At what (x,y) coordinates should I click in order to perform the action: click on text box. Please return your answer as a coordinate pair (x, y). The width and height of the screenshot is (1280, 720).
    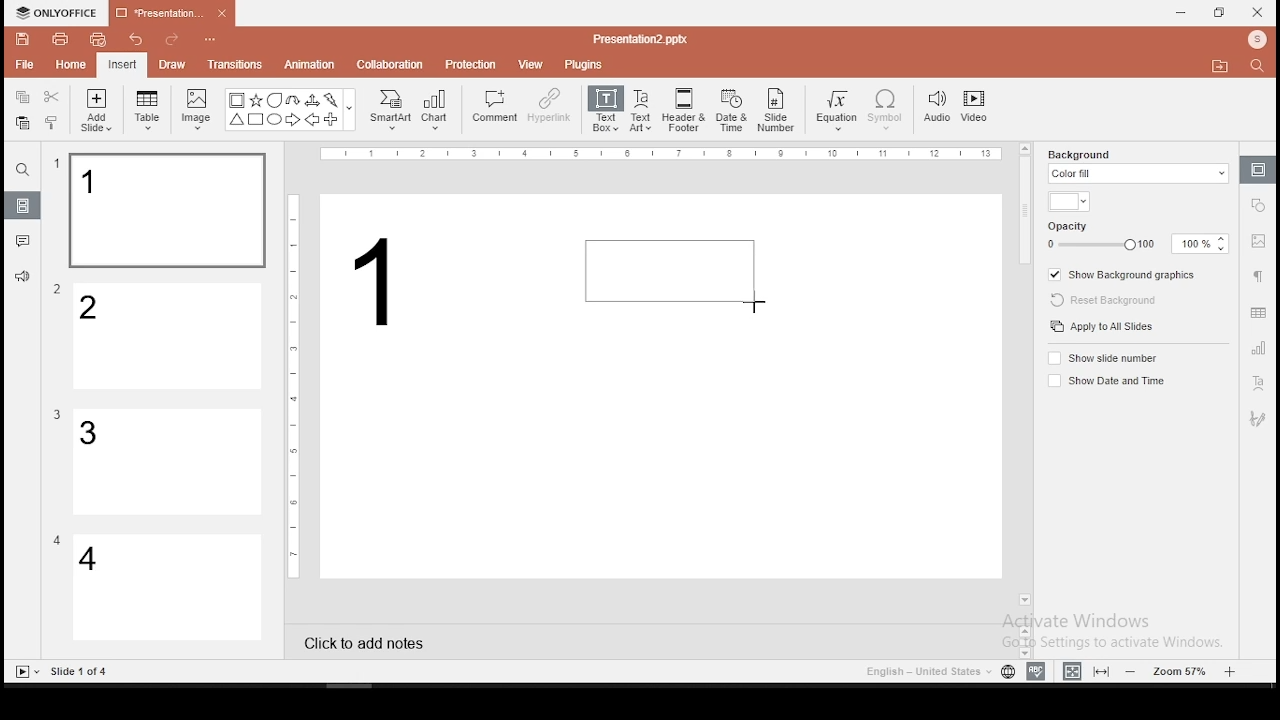
    Looking at the image, I should click on (604, 108).